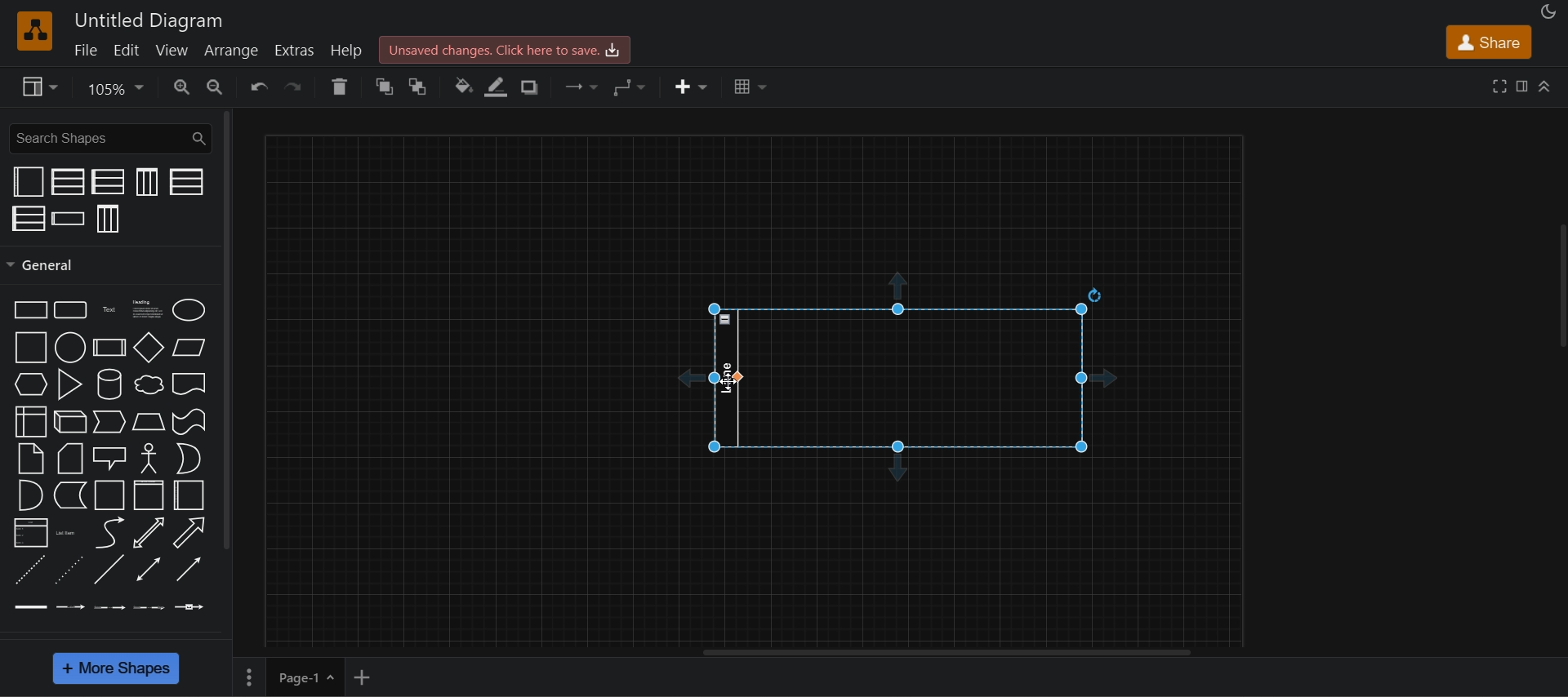  Describe the element at coordinates (107, 384) in the screenshot. I see `cylinder` at that location.